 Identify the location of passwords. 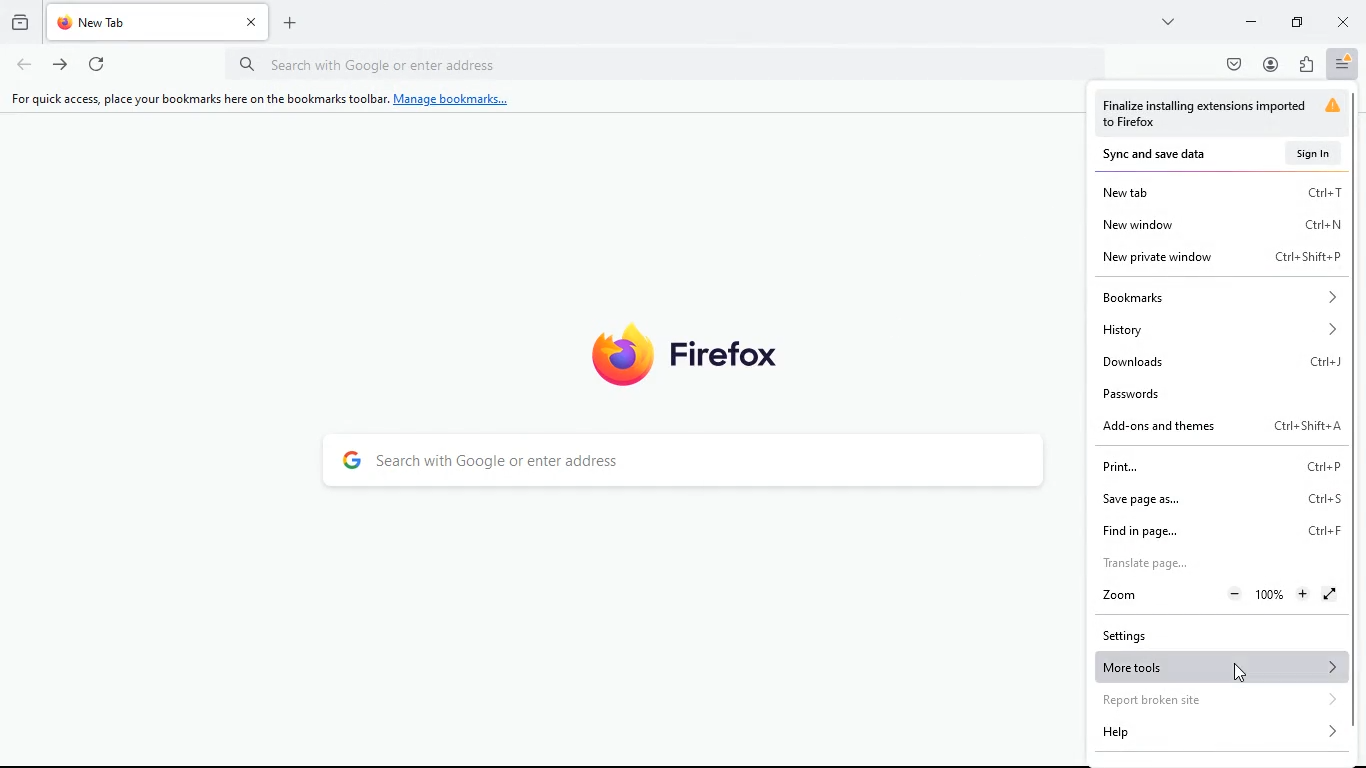
(1220, 392).